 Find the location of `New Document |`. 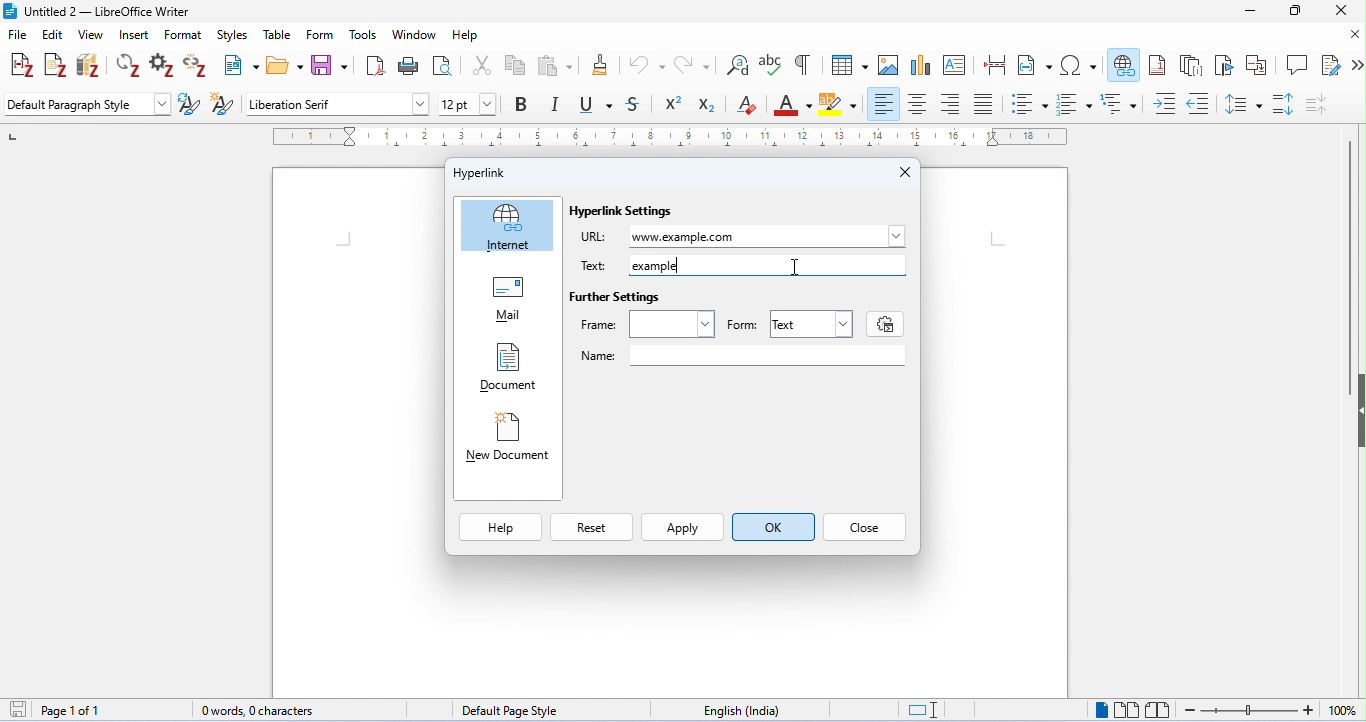

New Document | is located at coordinates (510, 438).